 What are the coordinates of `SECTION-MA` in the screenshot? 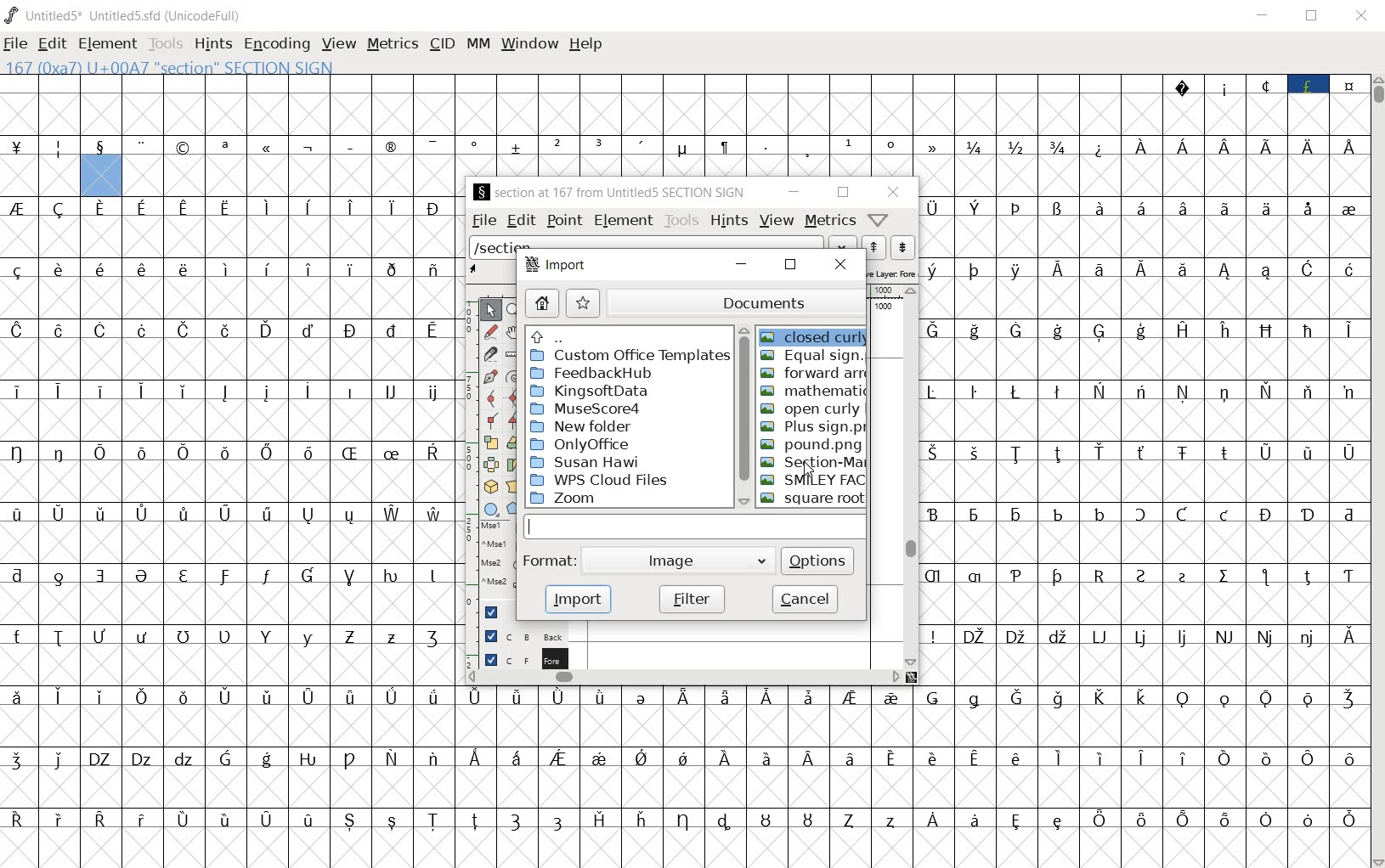 It's located at (811, 464).